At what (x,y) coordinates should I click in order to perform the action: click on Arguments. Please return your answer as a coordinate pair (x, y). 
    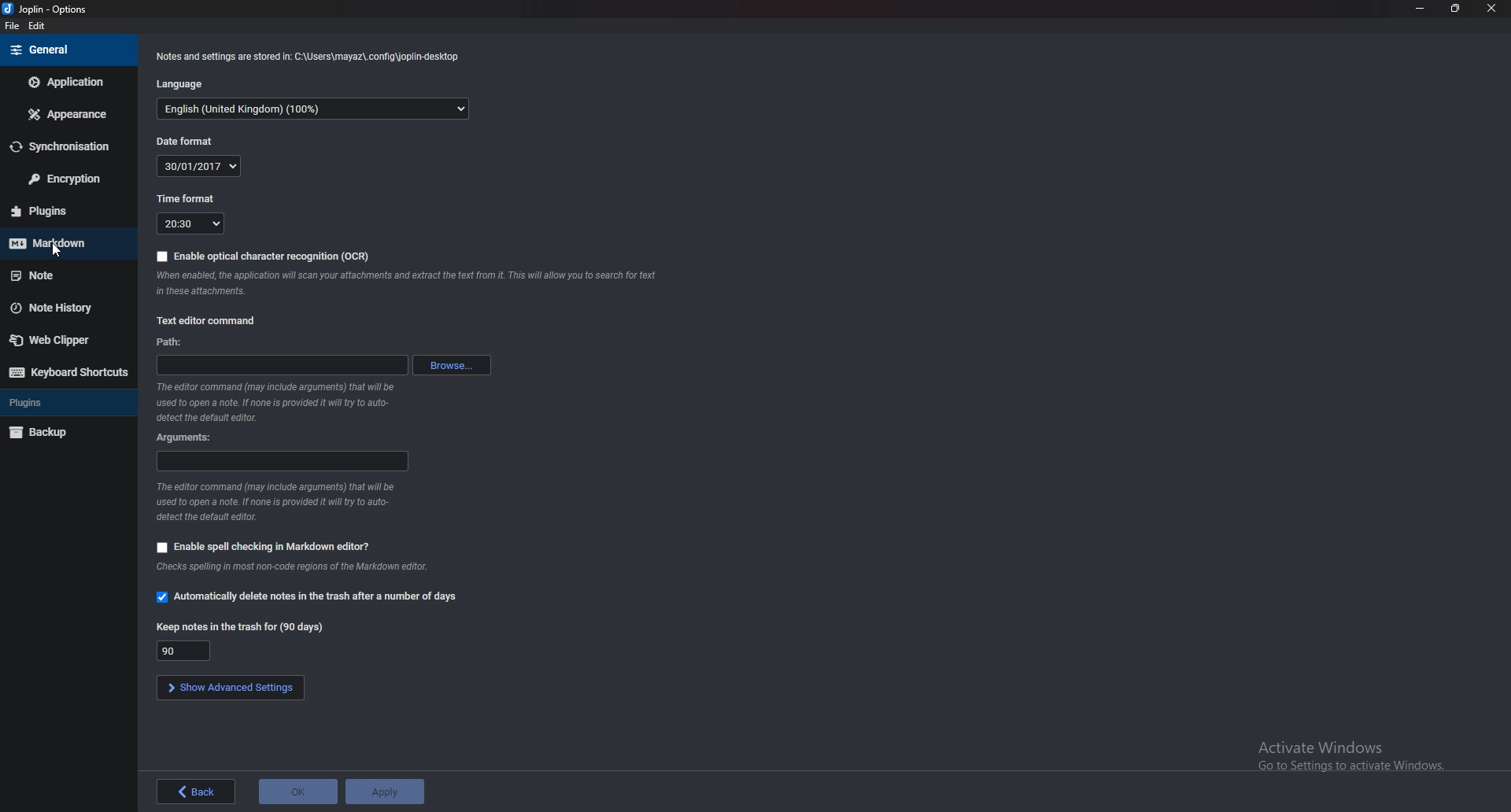
    Looking at the image, I should click on (284, 462).